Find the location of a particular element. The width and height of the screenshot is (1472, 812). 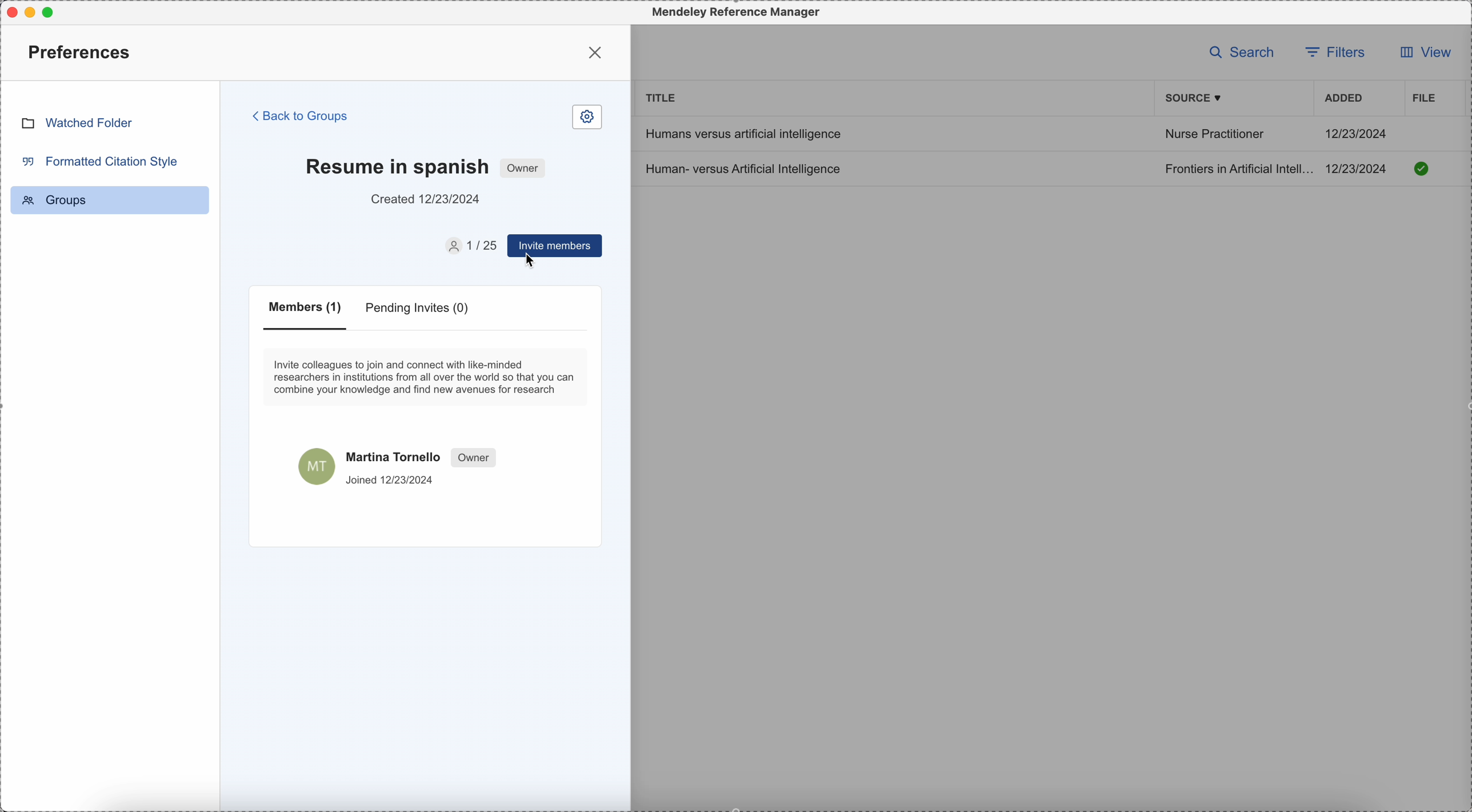

formatted  citation style is located at coordinates (98, 161).